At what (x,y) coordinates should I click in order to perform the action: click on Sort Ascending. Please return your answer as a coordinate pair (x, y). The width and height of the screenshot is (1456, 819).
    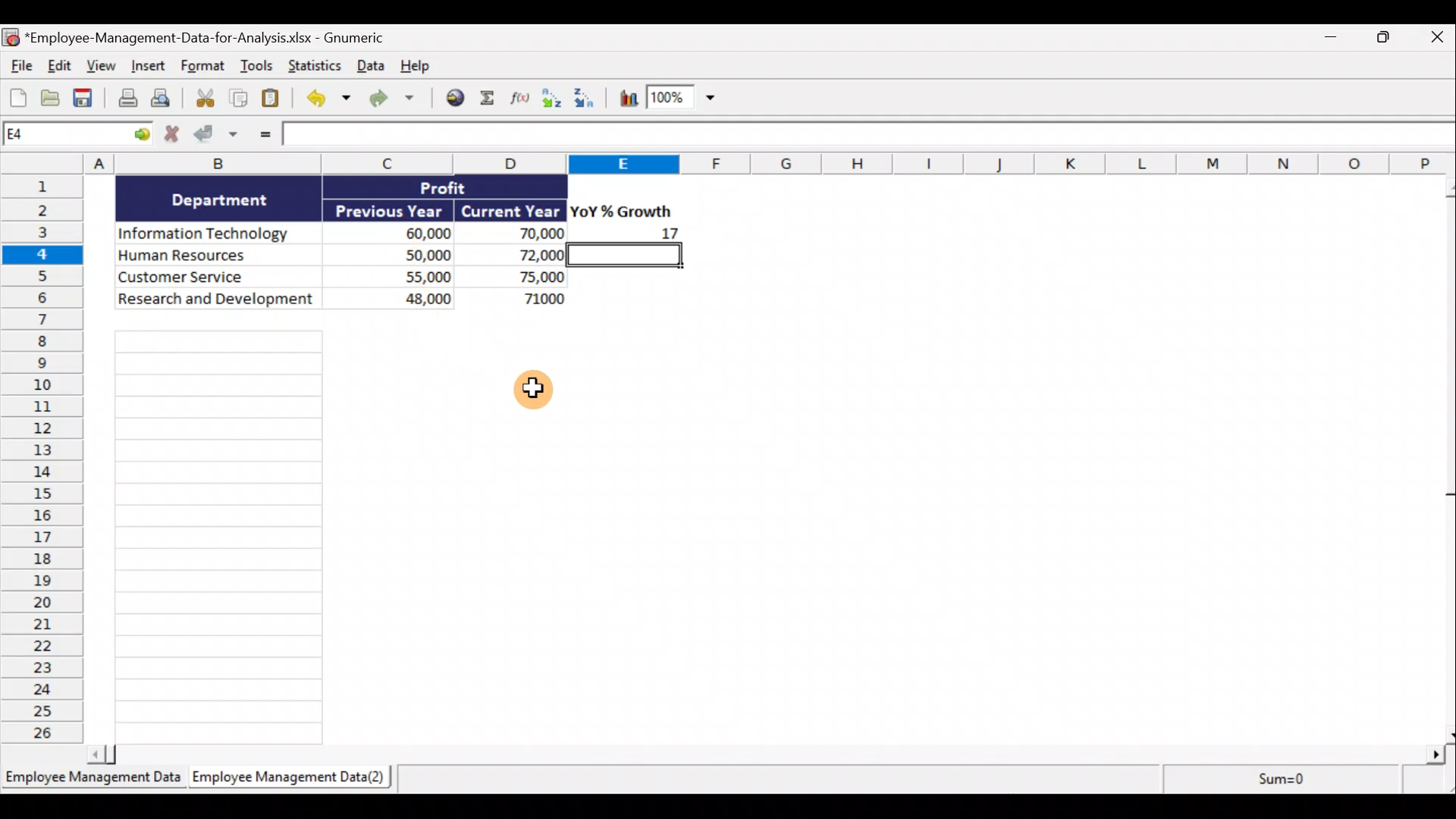
    Looking at the image, I should click on (553, 100).